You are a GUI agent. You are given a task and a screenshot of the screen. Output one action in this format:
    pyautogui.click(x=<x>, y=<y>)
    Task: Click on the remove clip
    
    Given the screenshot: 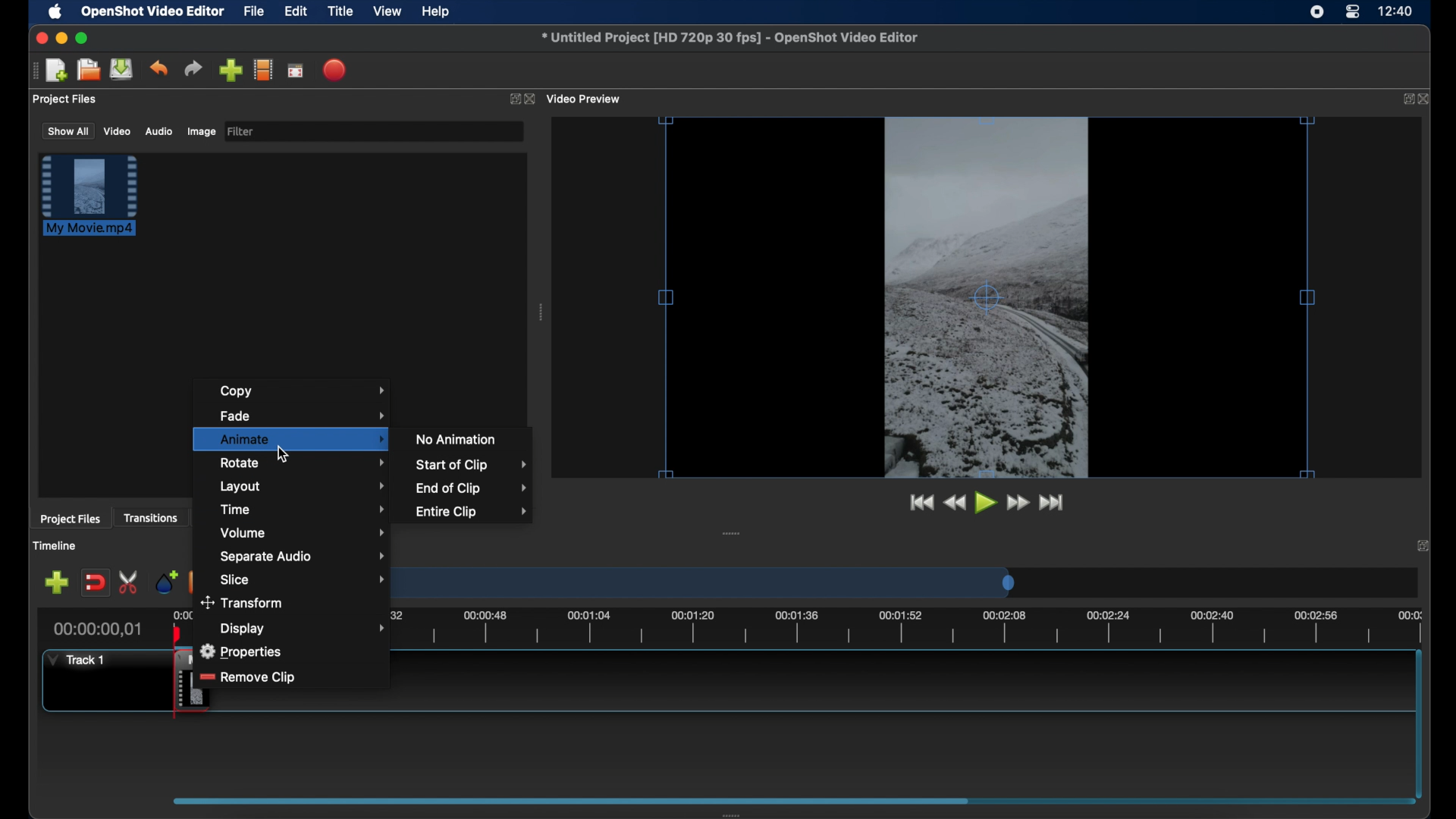 What is the action you would take?
    pyautogui.click(x=249, y=678)
    